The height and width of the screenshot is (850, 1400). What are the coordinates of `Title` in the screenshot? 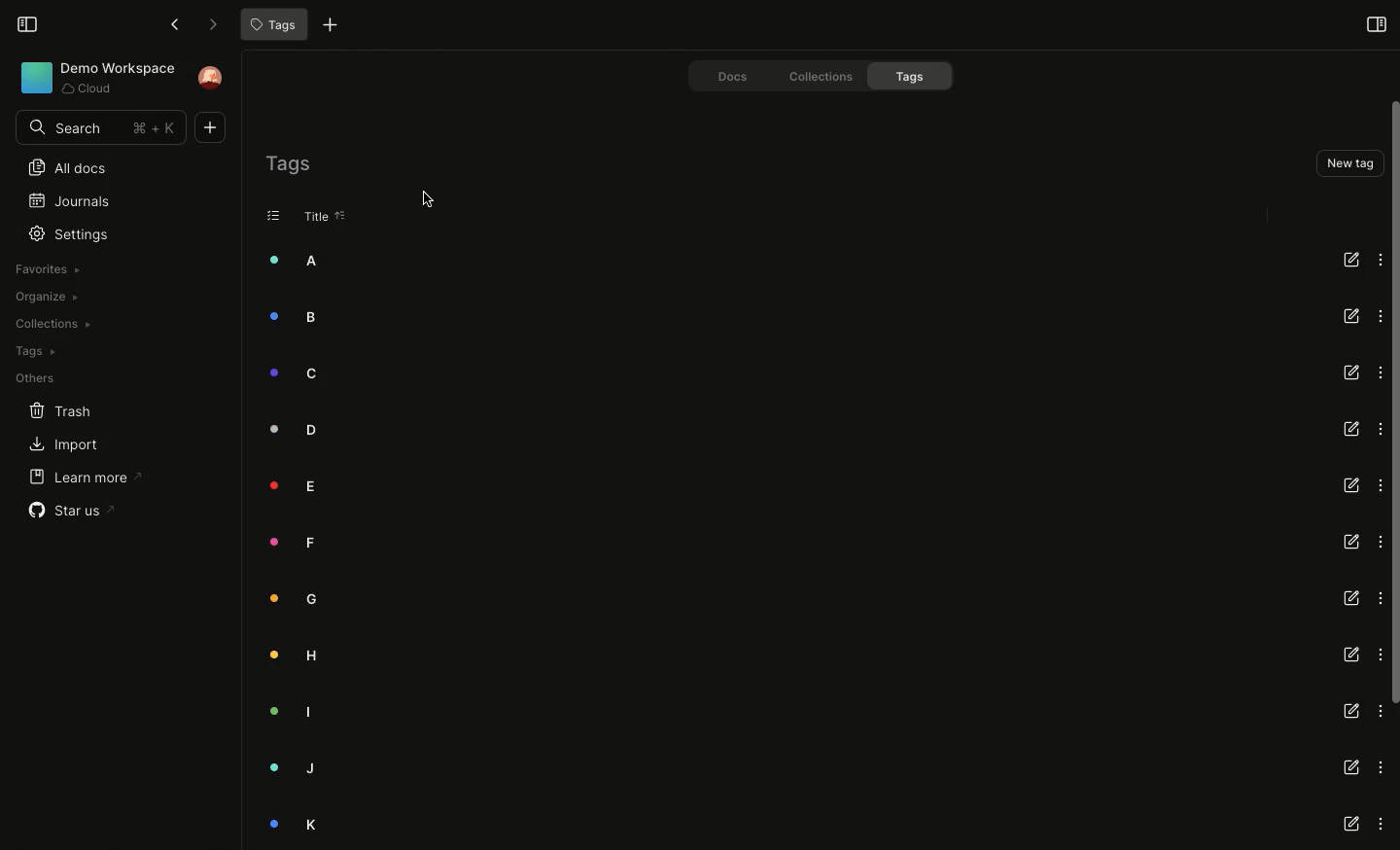 It's located at (313, 217).